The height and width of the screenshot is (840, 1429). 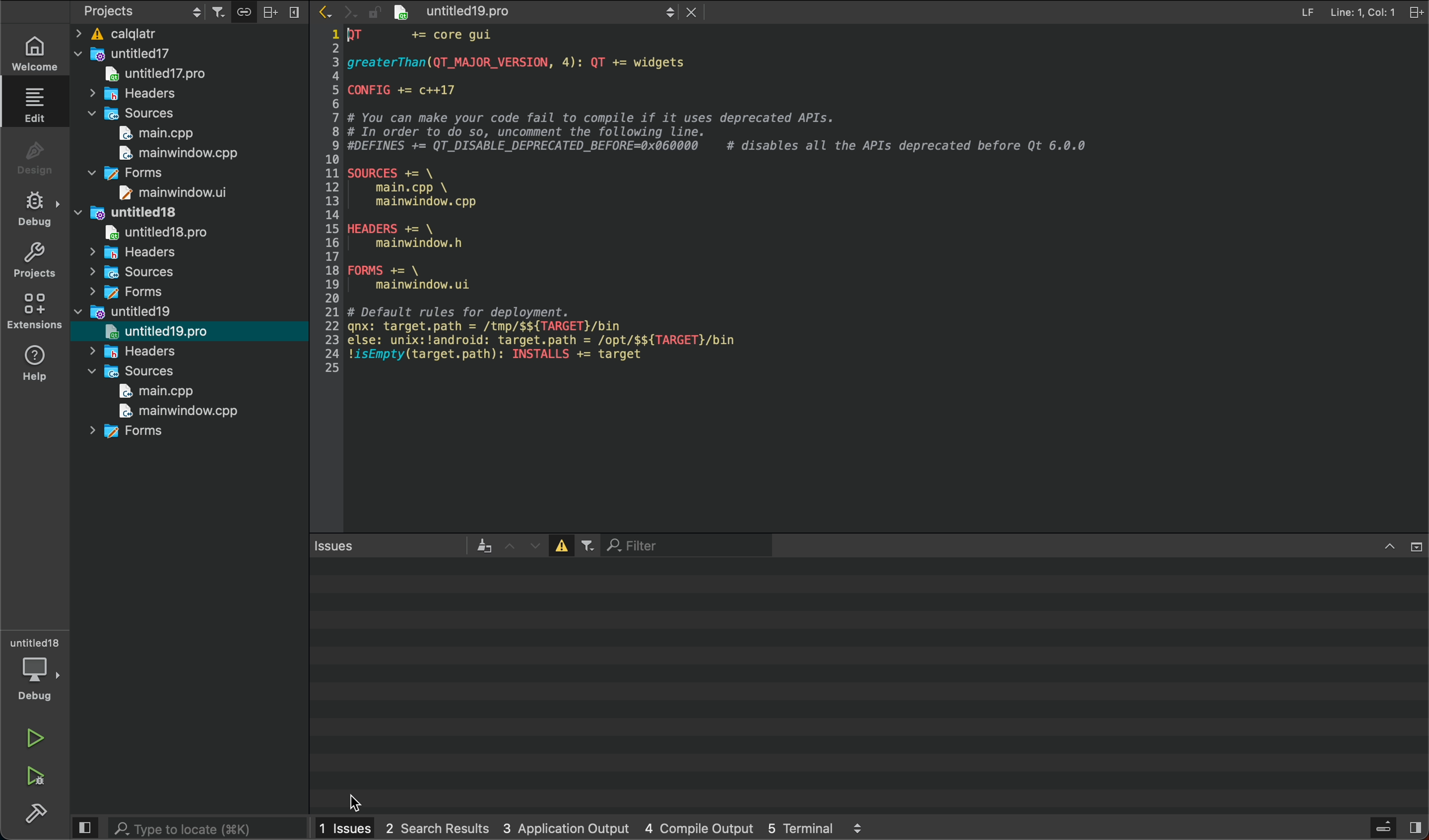 What do you see at coordinates (143, 94) in the screenshot?
I see `headers` at bounding box center [143, 94].